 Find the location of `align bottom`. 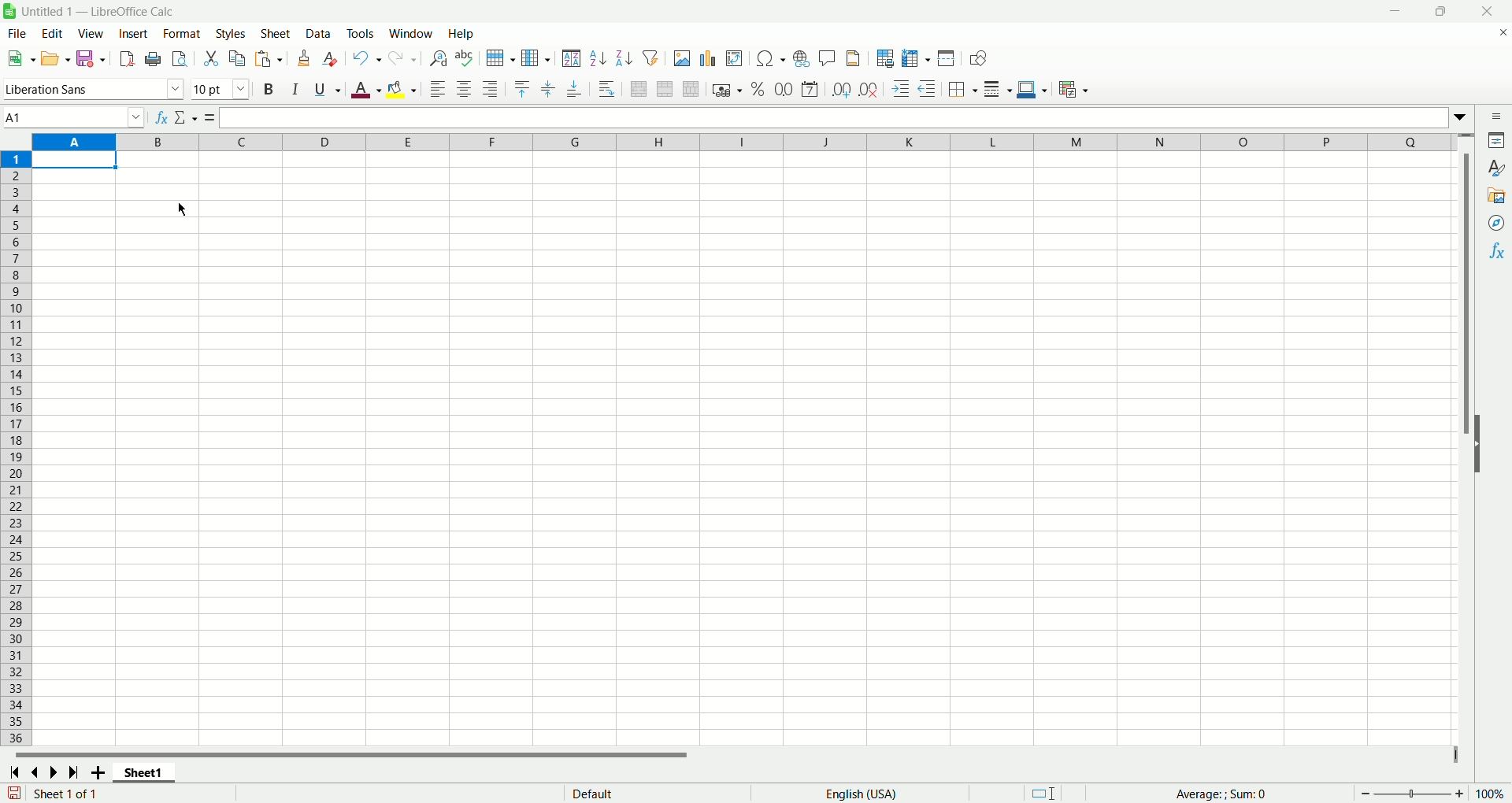

align bottom is located at coordinates (576, 92).